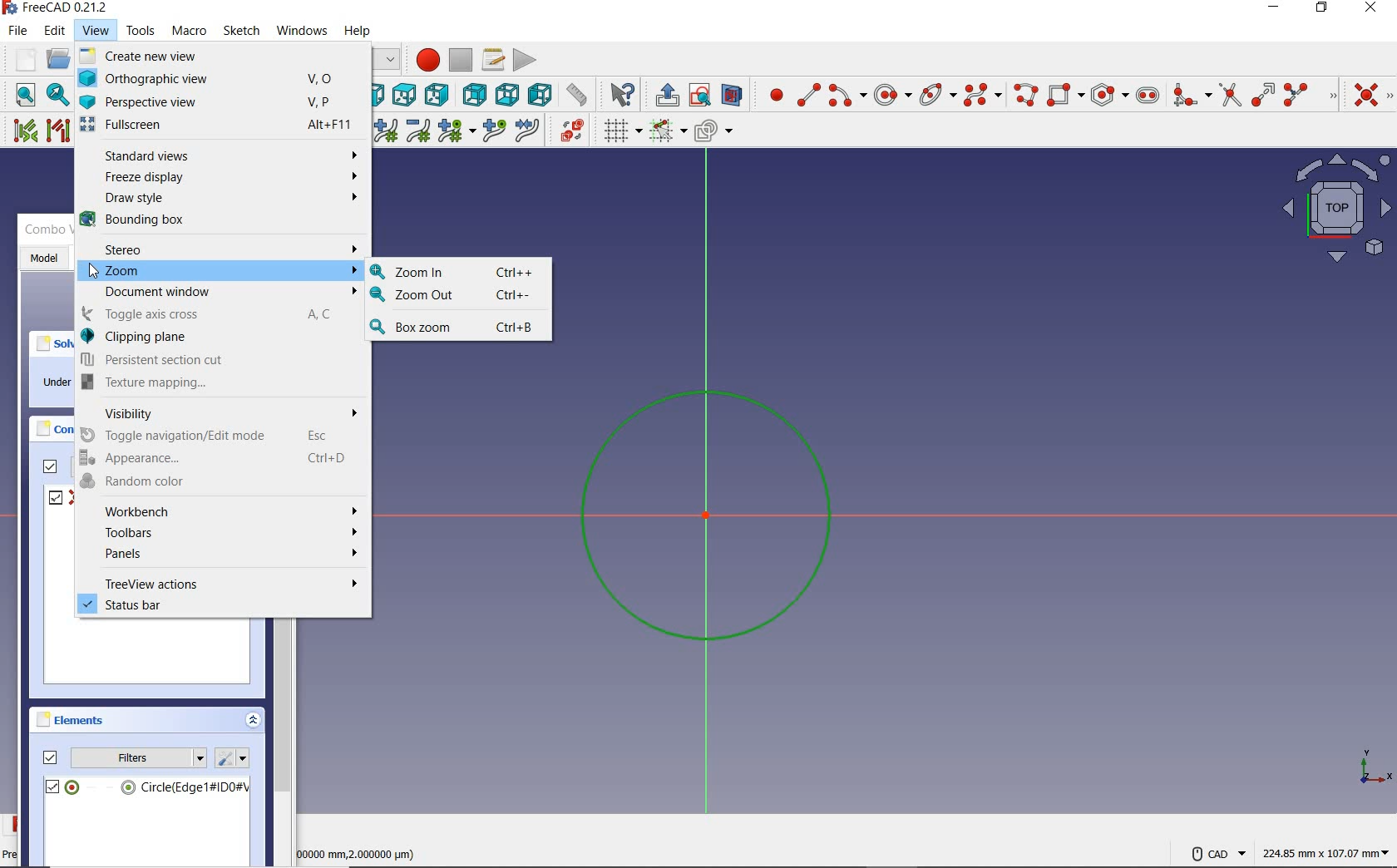  Describe the element at coordinates (58, 496) in the screenshot. I see `constrain1` at that location.